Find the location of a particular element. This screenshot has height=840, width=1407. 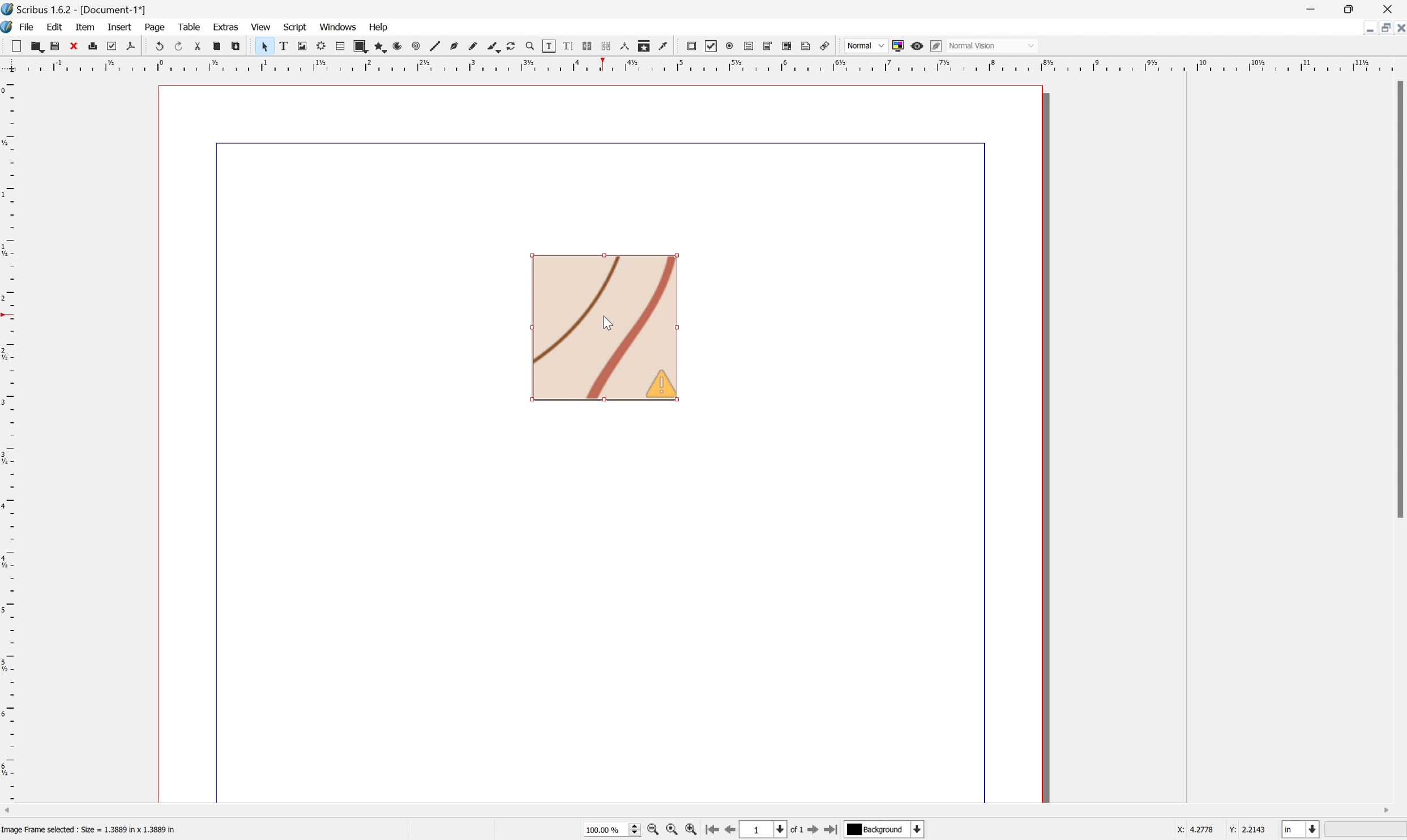

Spiral is located at coordinates (419, 45).